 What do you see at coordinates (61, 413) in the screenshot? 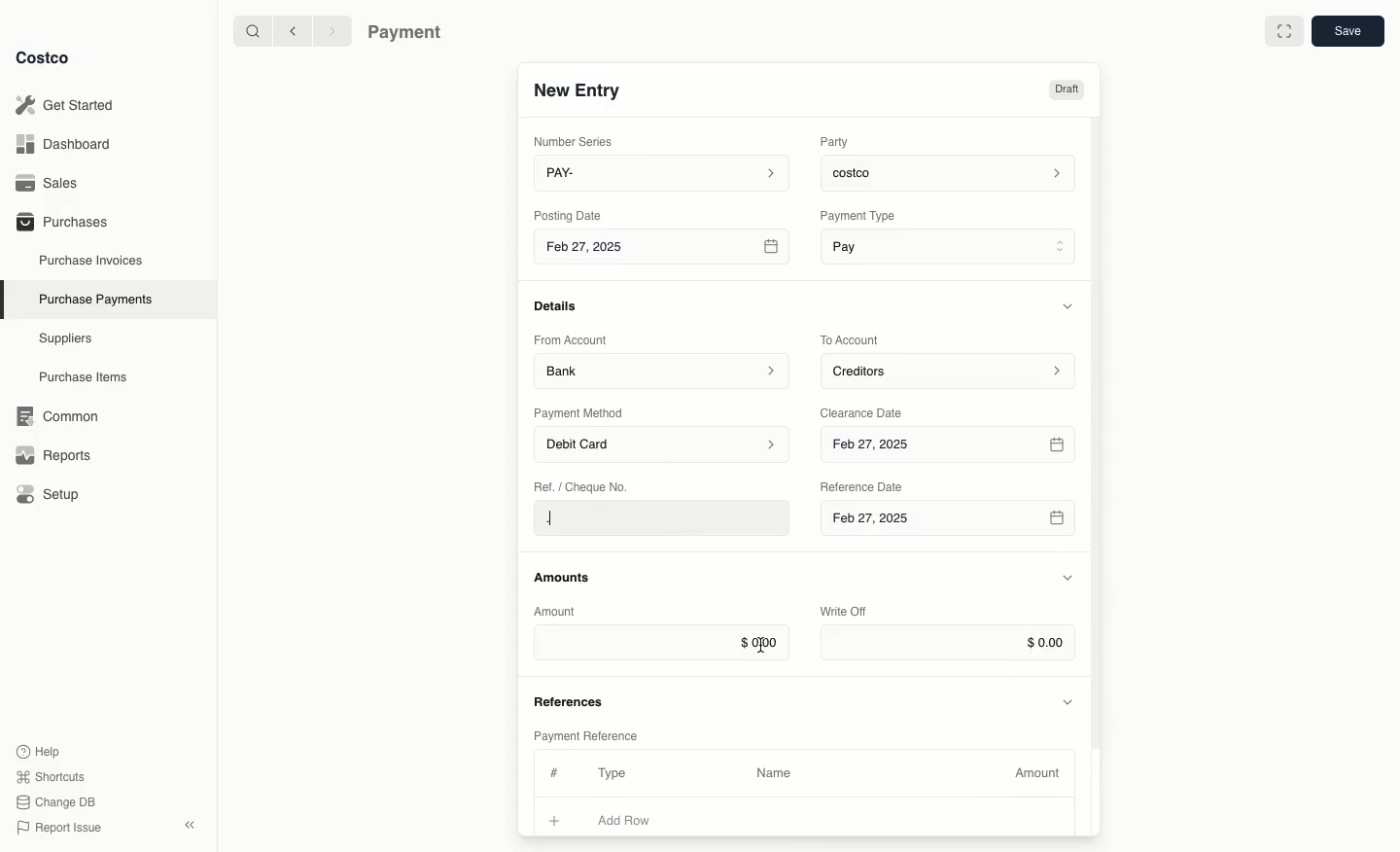
I see `‘Common` at bounding box center [61, 413].